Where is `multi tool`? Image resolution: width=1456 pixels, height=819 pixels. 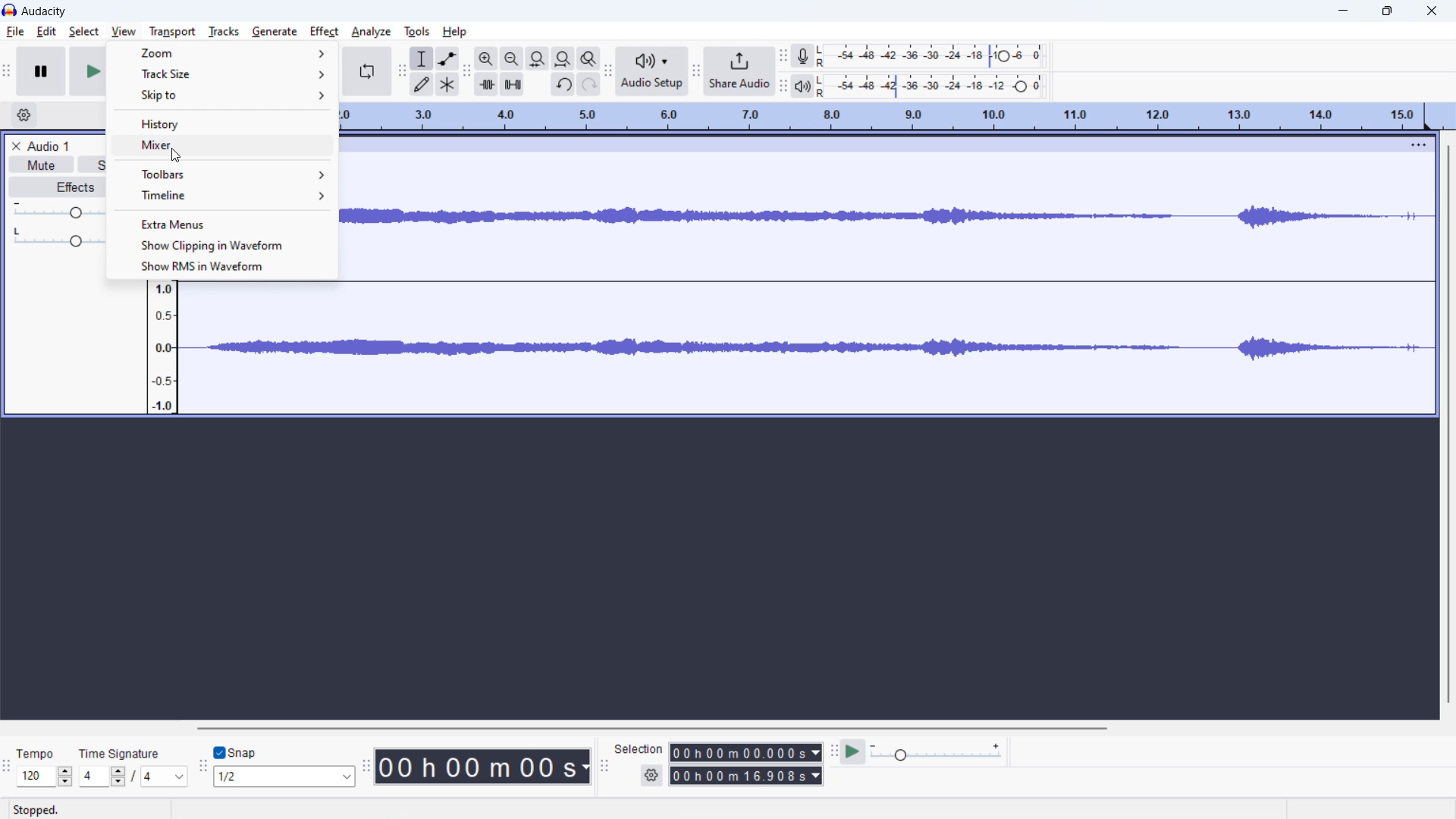 multi tool is located at coordinates (447, 84).